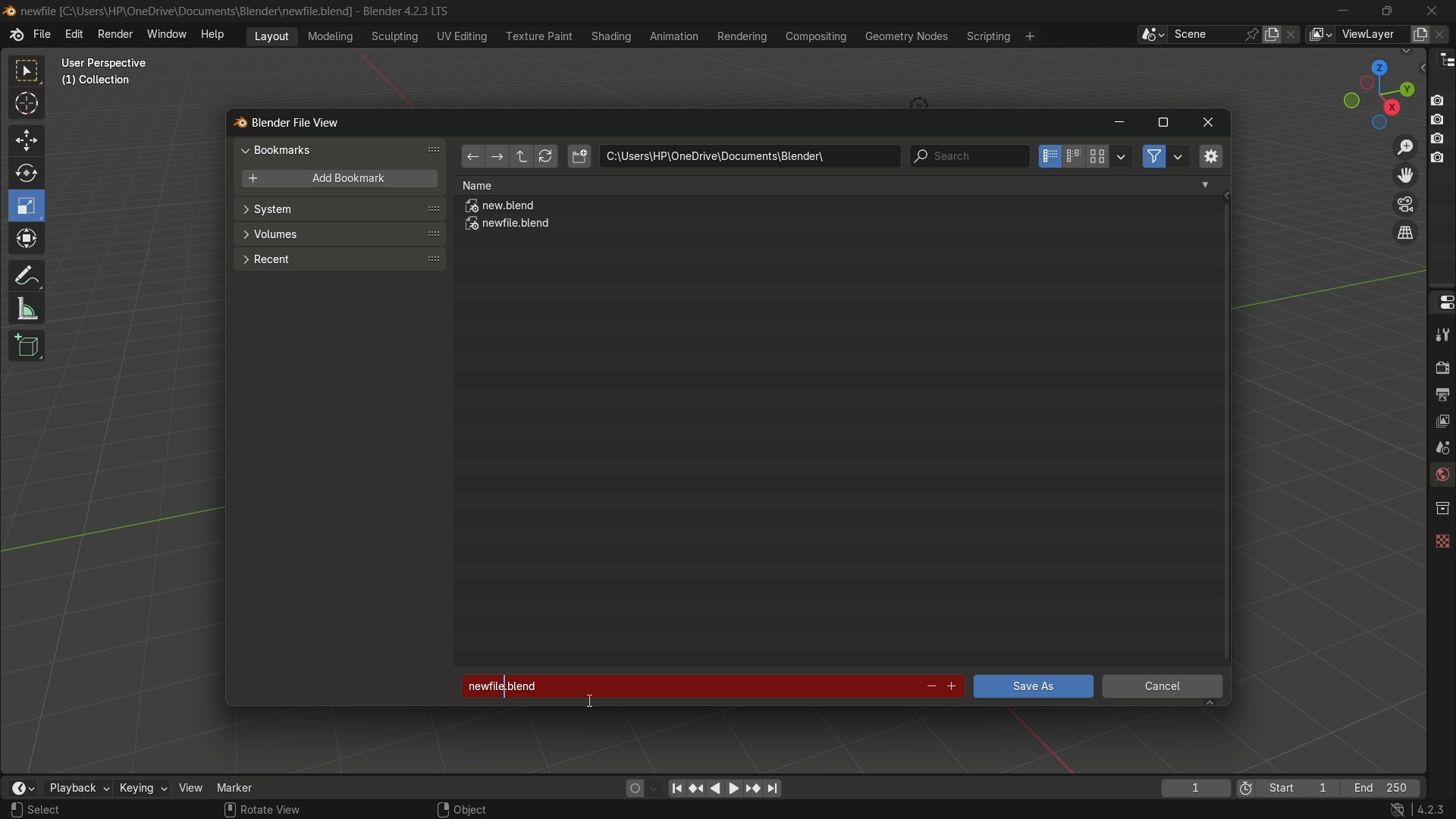  What do you see at coordinates (929, 688) in the screenshot?
I see `decrement number in file name` at bounding box center [929, 688].